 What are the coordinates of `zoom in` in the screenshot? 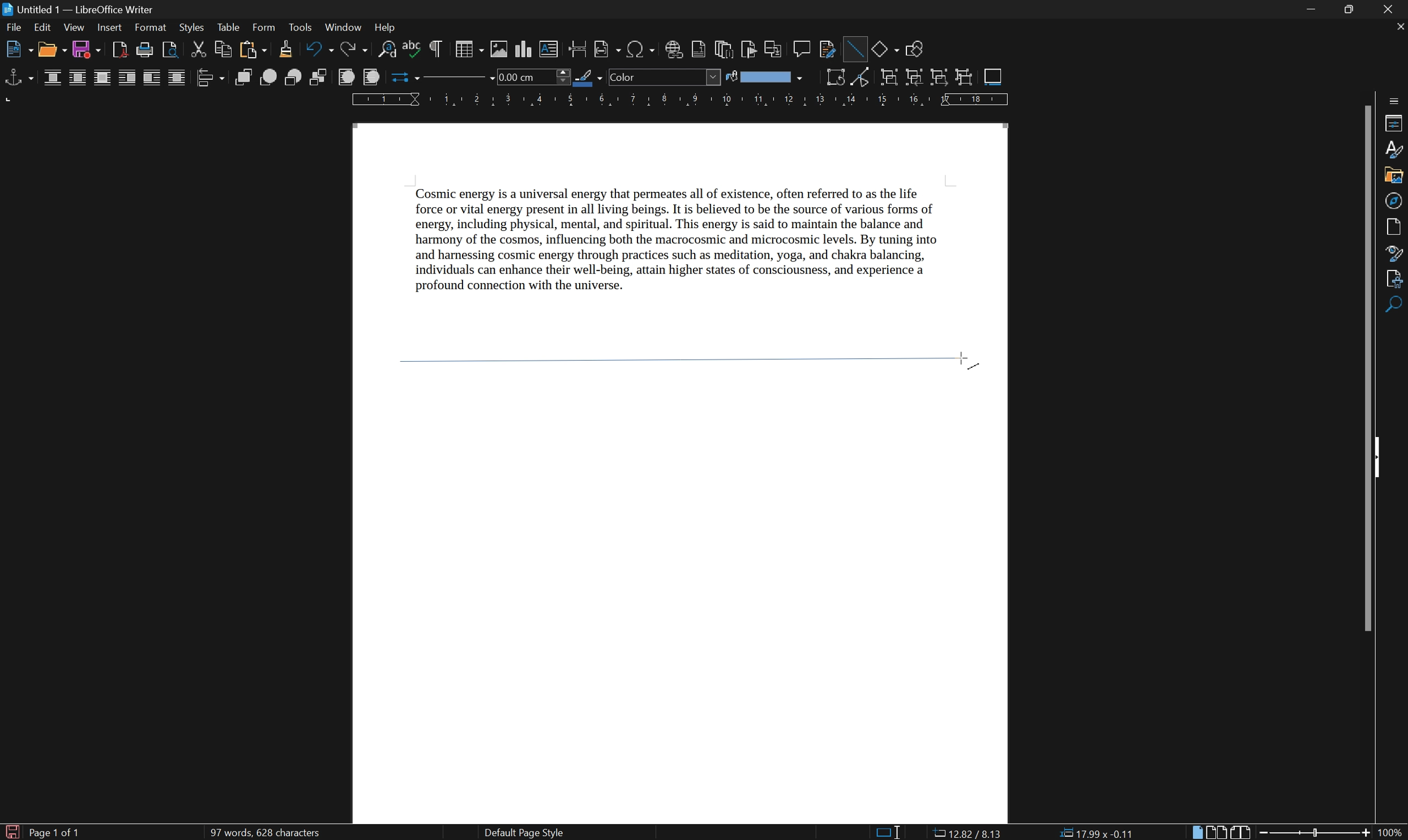 It's located at (1364, 833).